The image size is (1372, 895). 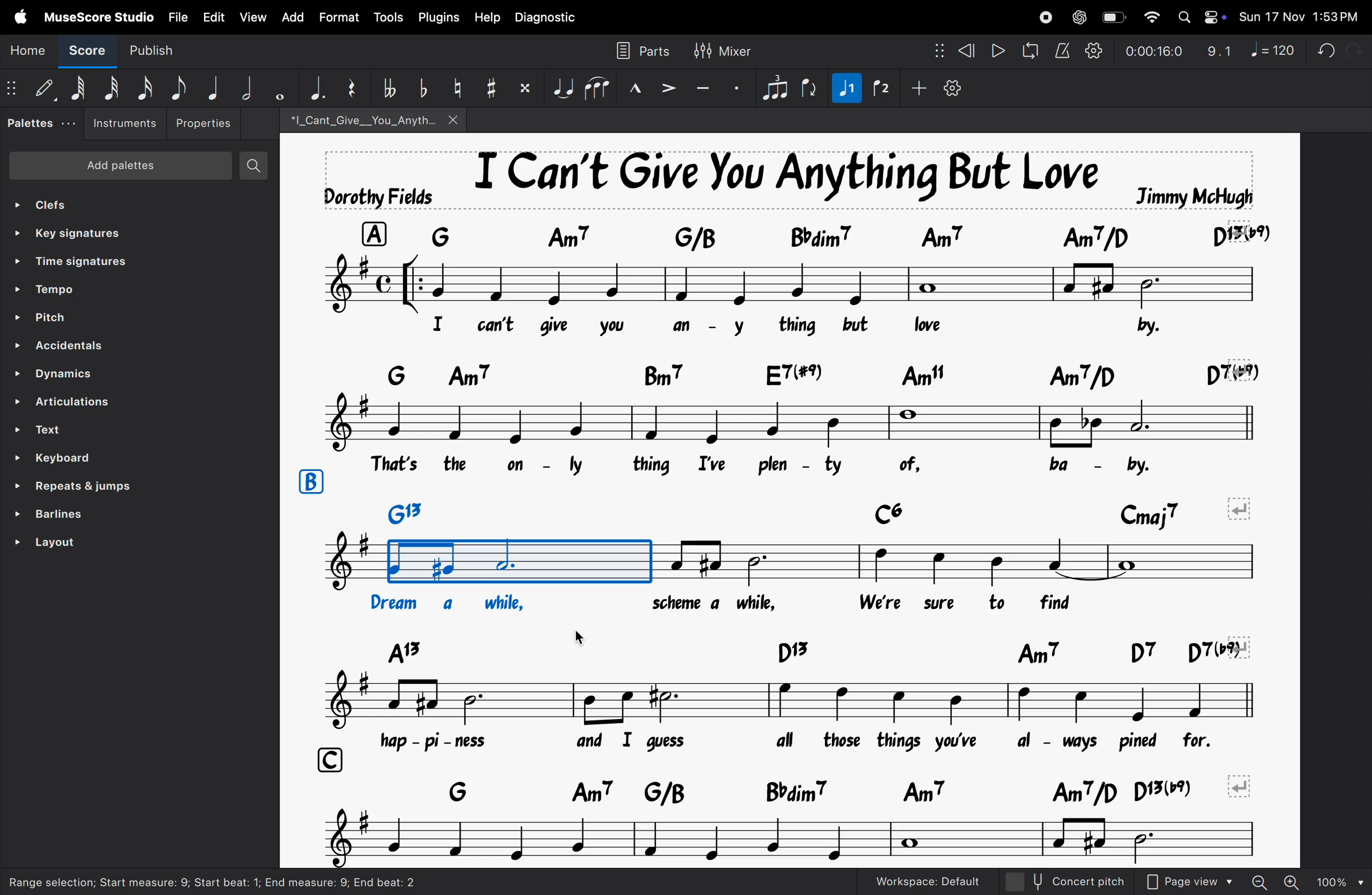 I want to click on playback settings, so click(x=1093, y=48).